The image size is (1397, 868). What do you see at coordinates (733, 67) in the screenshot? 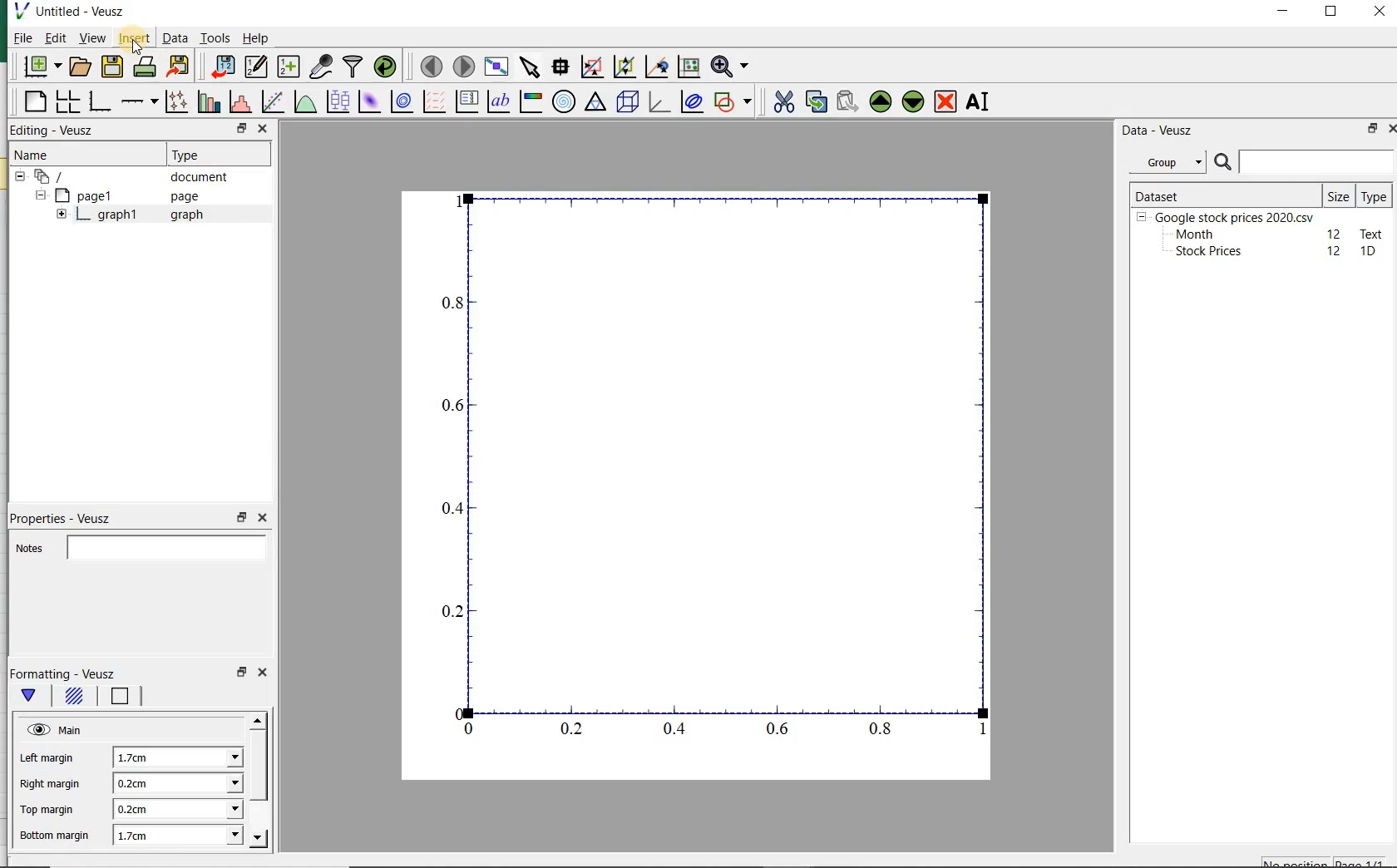
I see `zoom function menus` at bounding box center [733, 67].